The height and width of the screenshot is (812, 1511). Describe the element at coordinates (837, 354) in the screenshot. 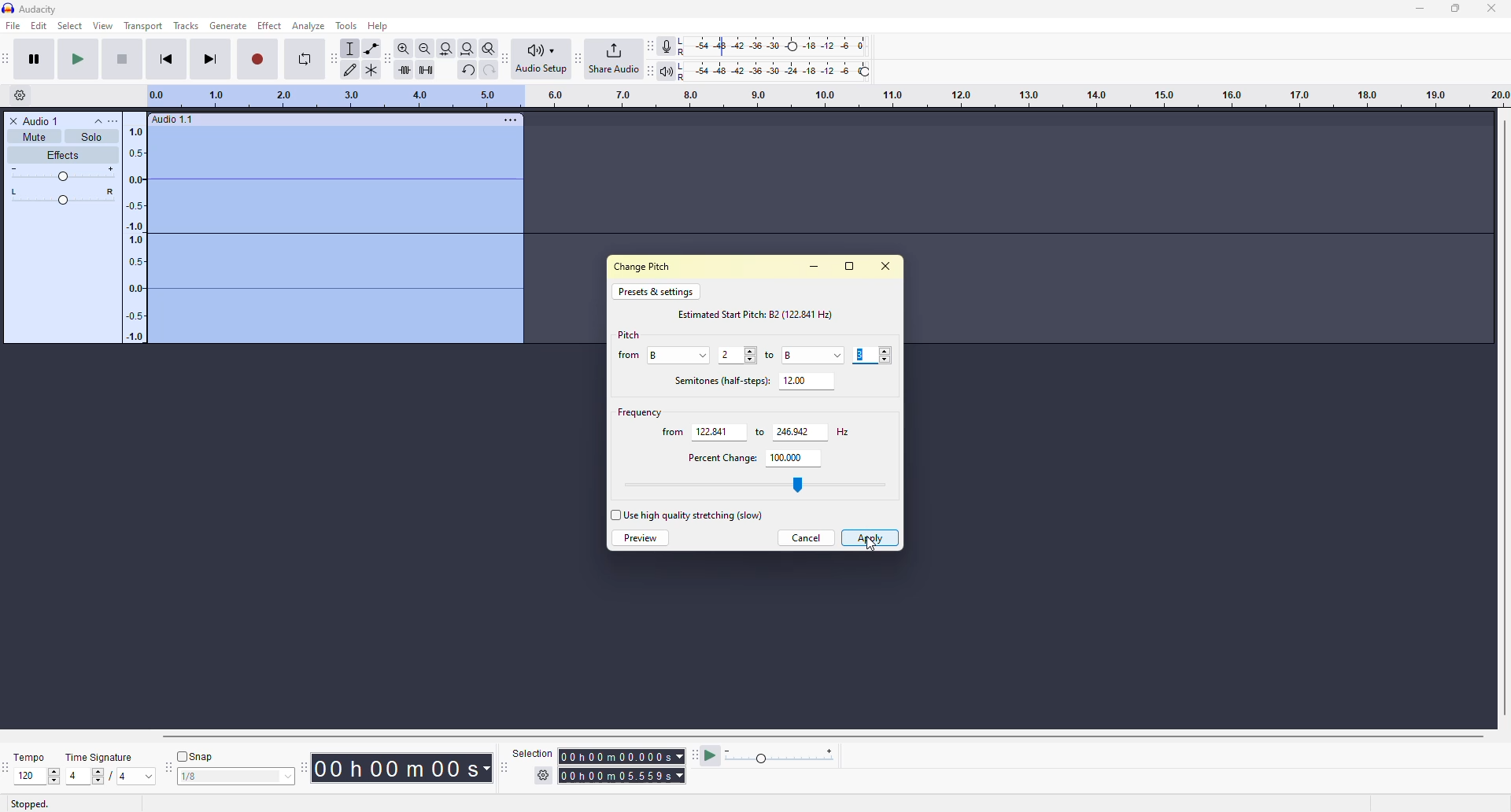

I see `drop down` at that location.